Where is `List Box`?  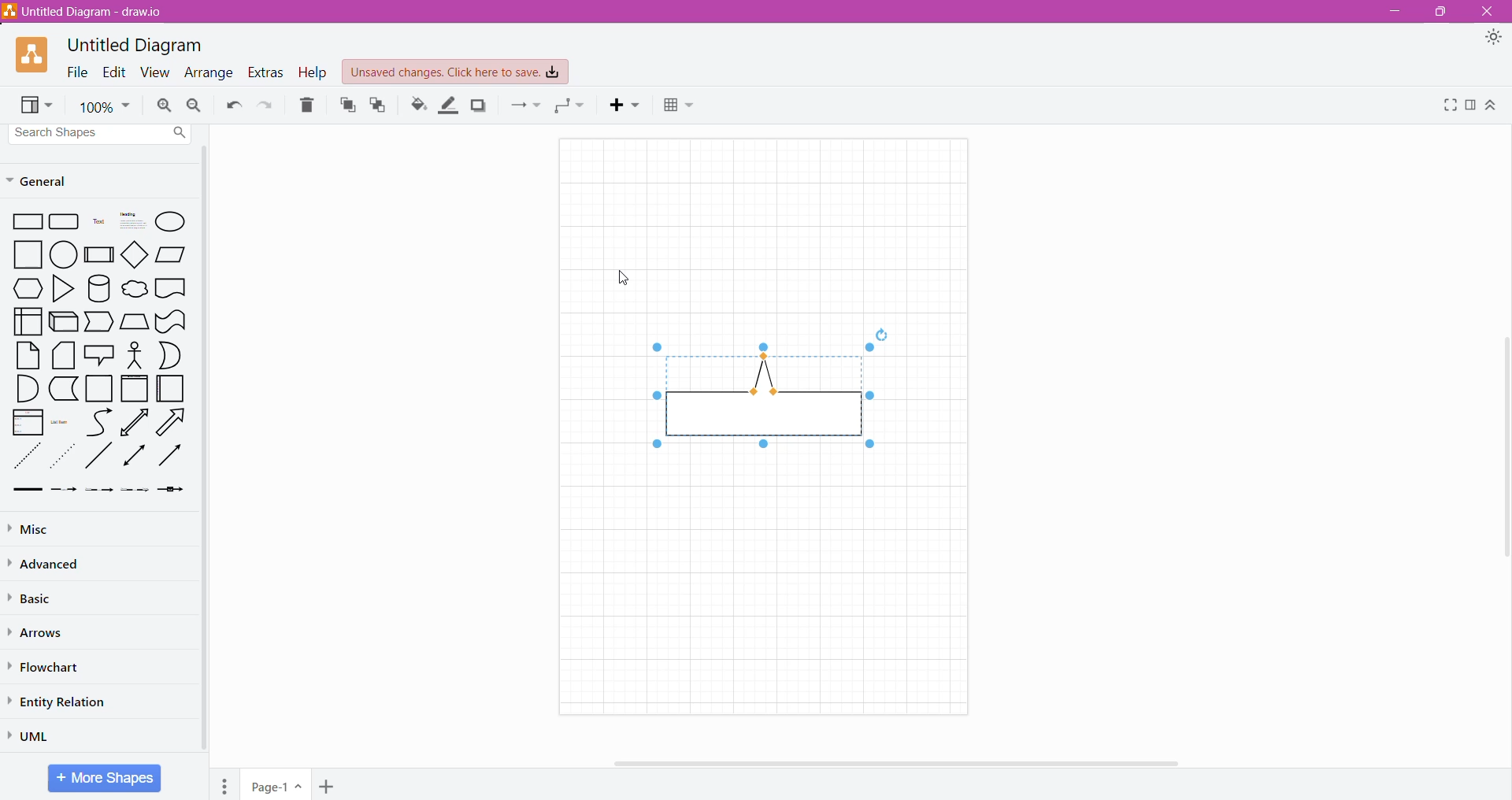
List Box is located at coordinates (28, 422).